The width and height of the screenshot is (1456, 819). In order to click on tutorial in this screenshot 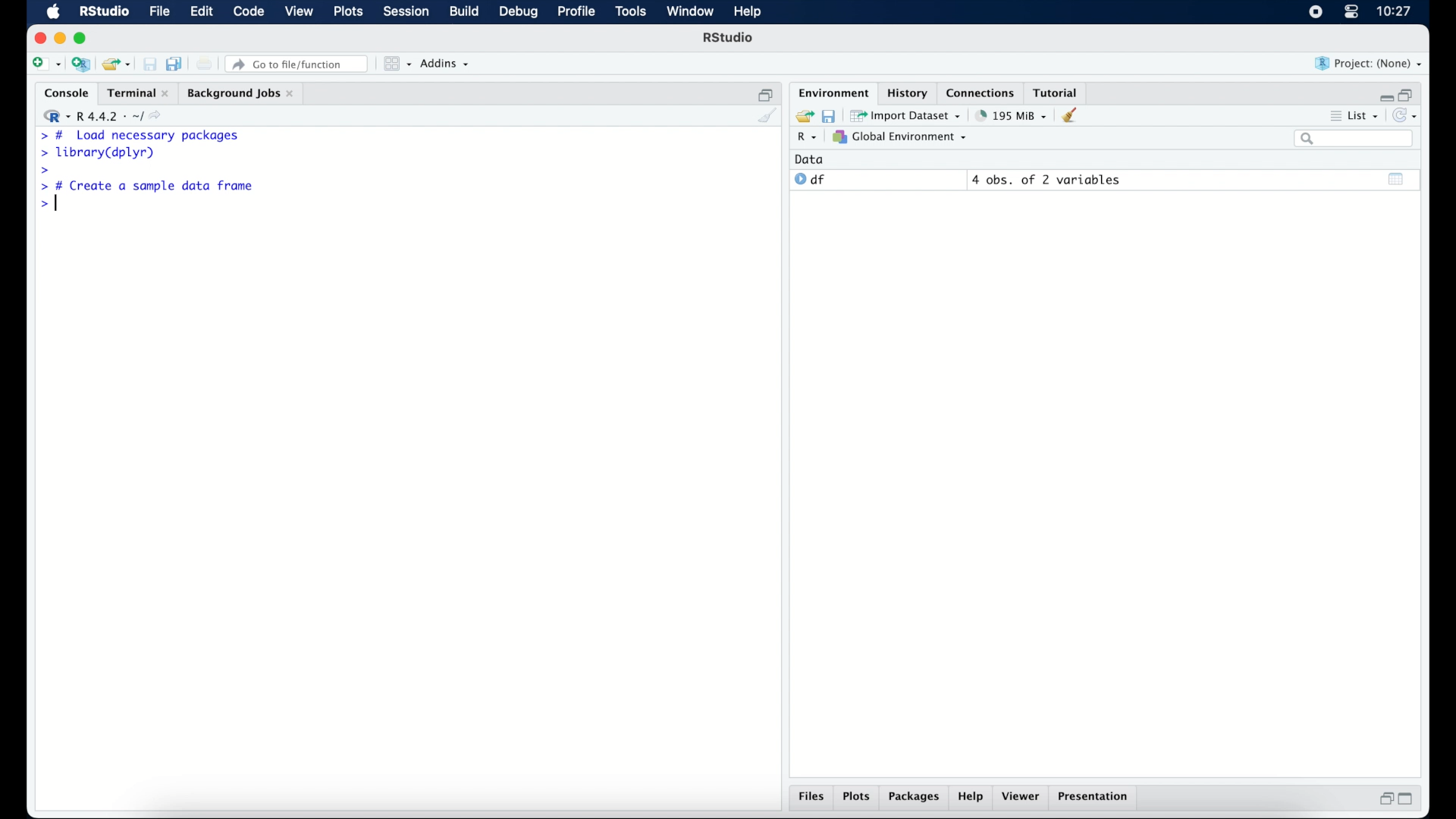, I will do `click(1059, 92)`.